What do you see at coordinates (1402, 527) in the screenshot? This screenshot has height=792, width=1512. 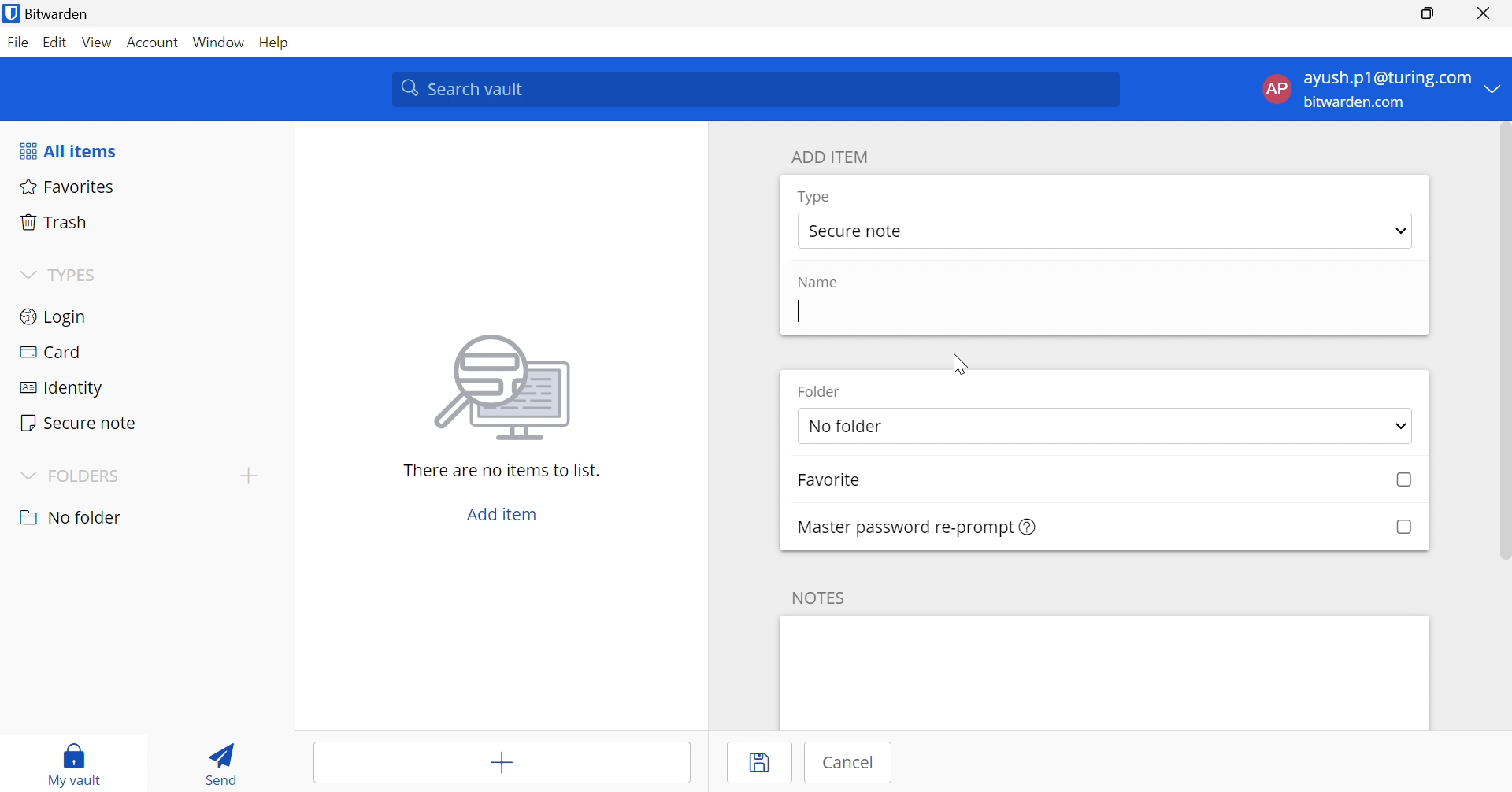 I see `Checkbox` at bounding box center [1402, 527].